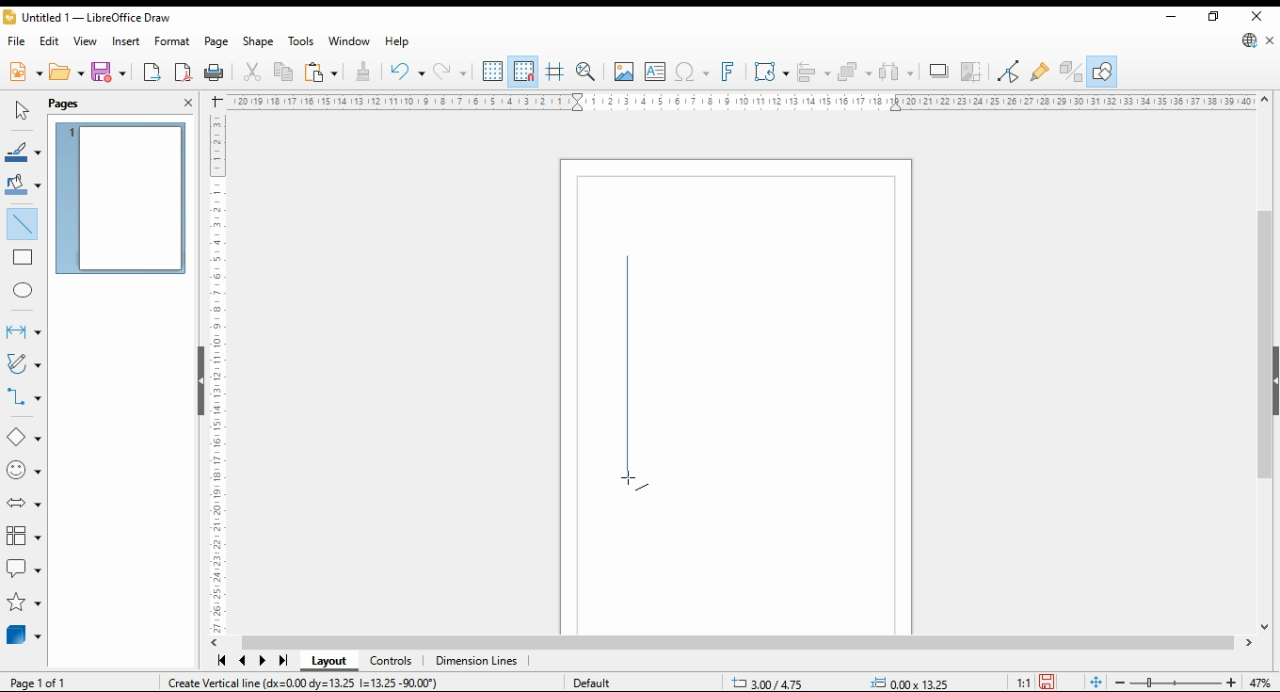  Describe the element at coordinates (254, 72) in the screenshot. I see `cut` at that location.